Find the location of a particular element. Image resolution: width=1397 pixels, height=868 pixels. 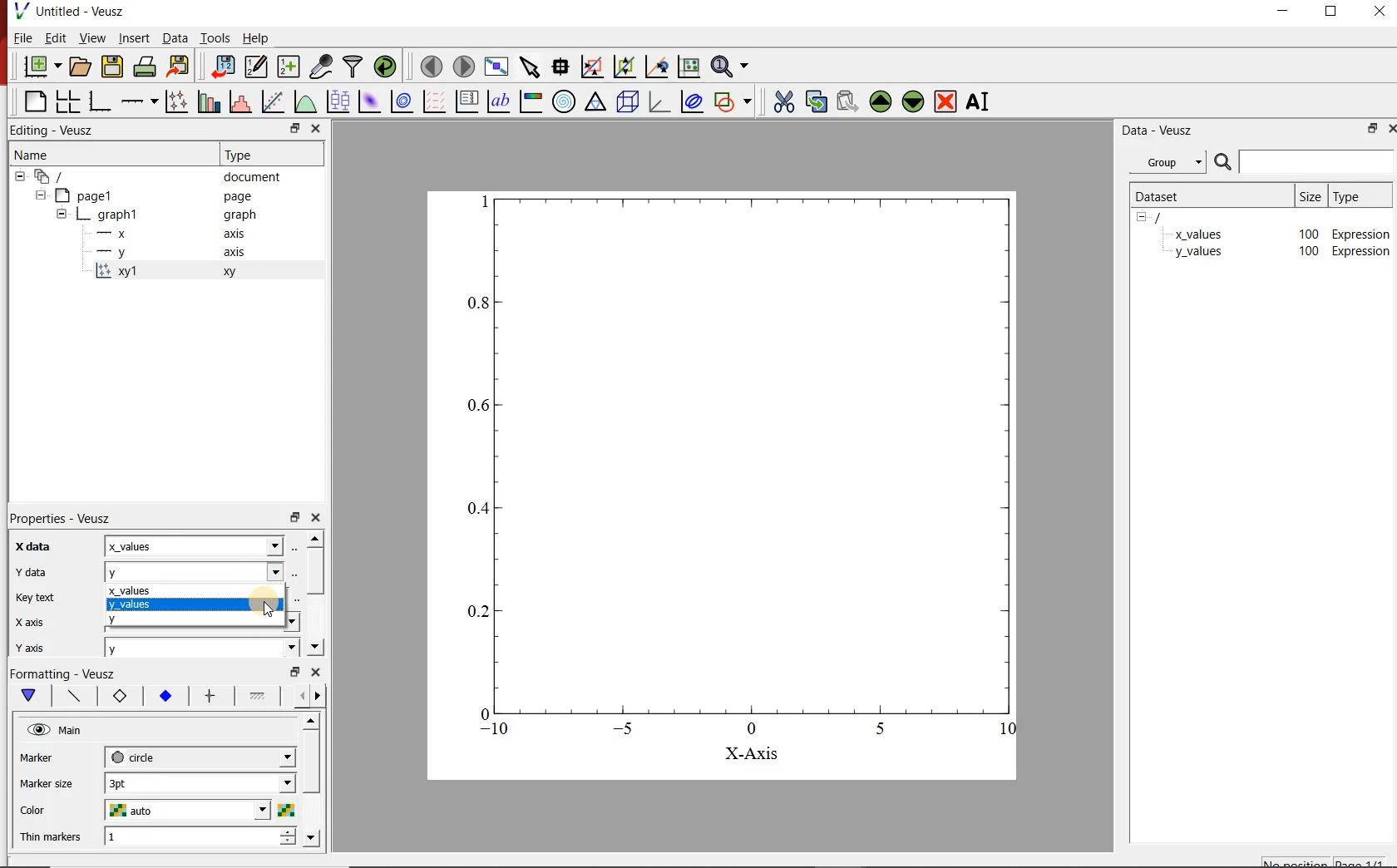

next options is located at coordinates (321, 697).